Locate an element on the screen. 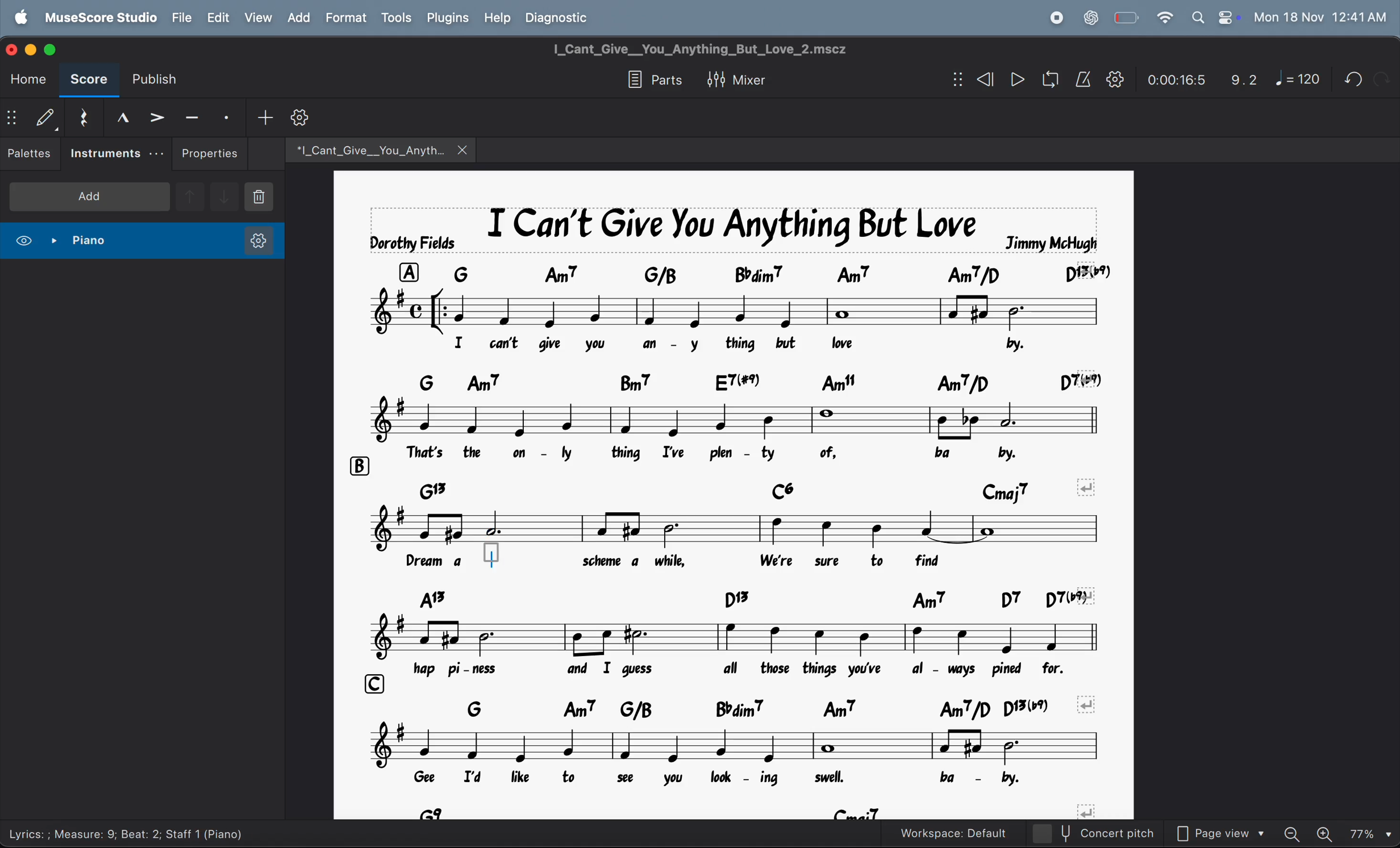 The width and height of the screenshot is (1400, 848). notes is located at coordinates (733, 528).